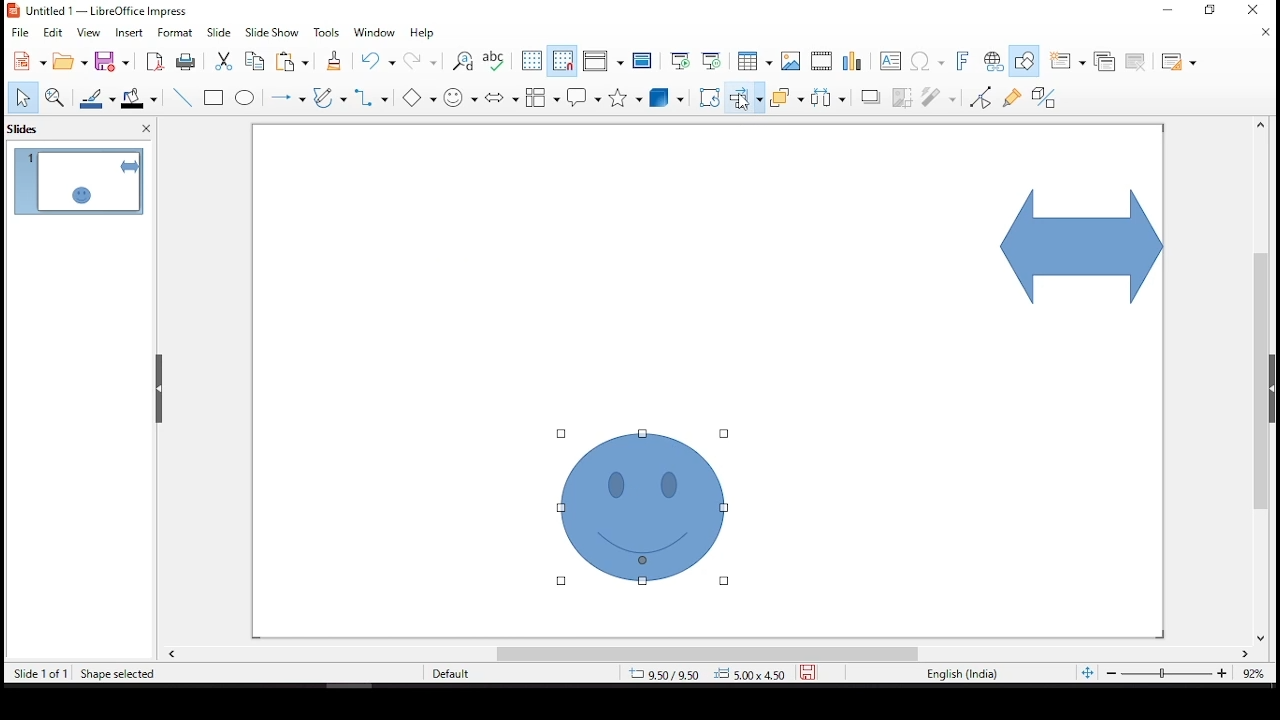 The width and height of the screenshot is (1280, 720). Describe the element at coordinates (808, 673) in the screenshot. I see `save` at that location.